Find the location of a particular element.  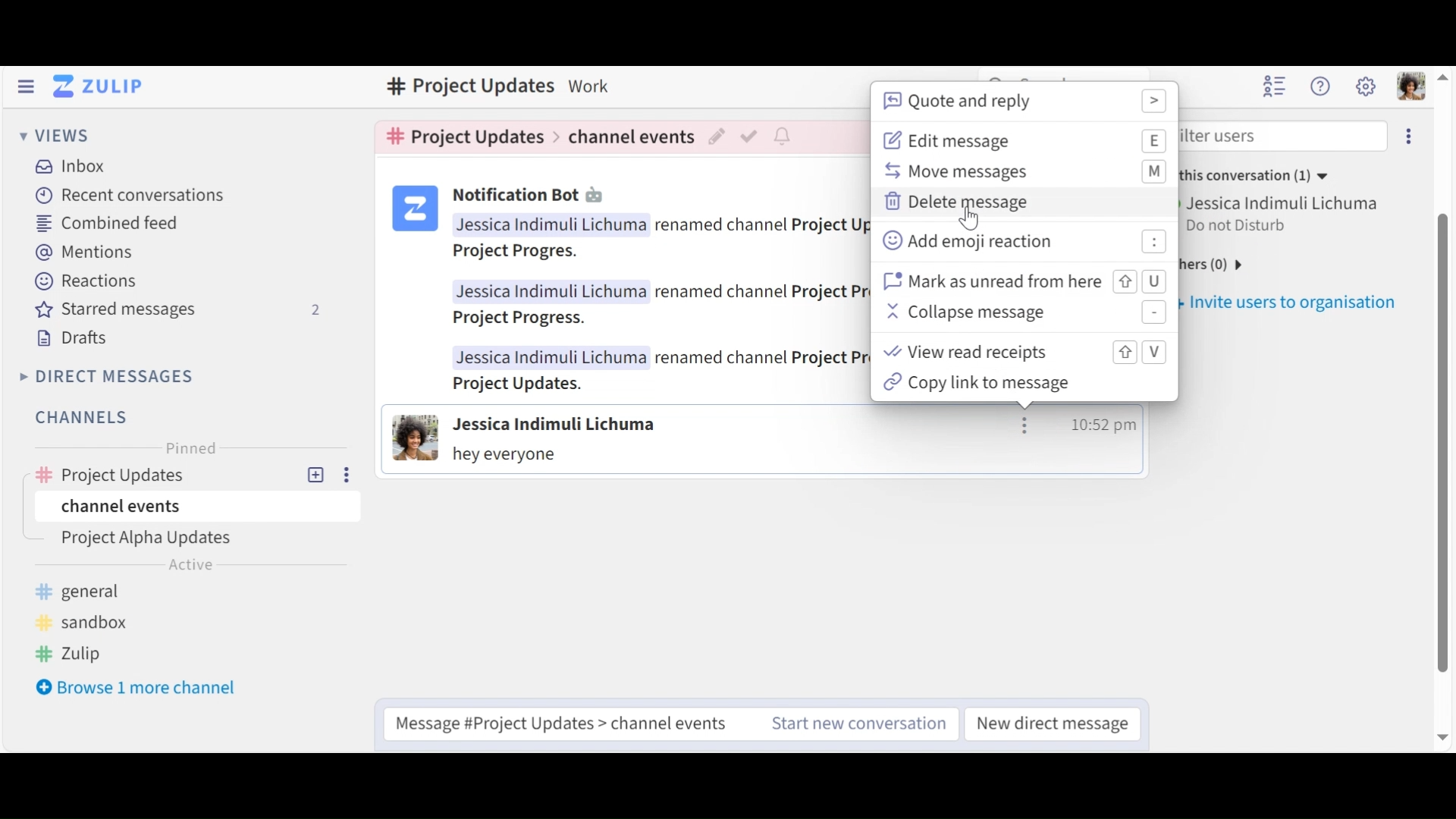

Quote and reply is located at coordinates (1021, 98).